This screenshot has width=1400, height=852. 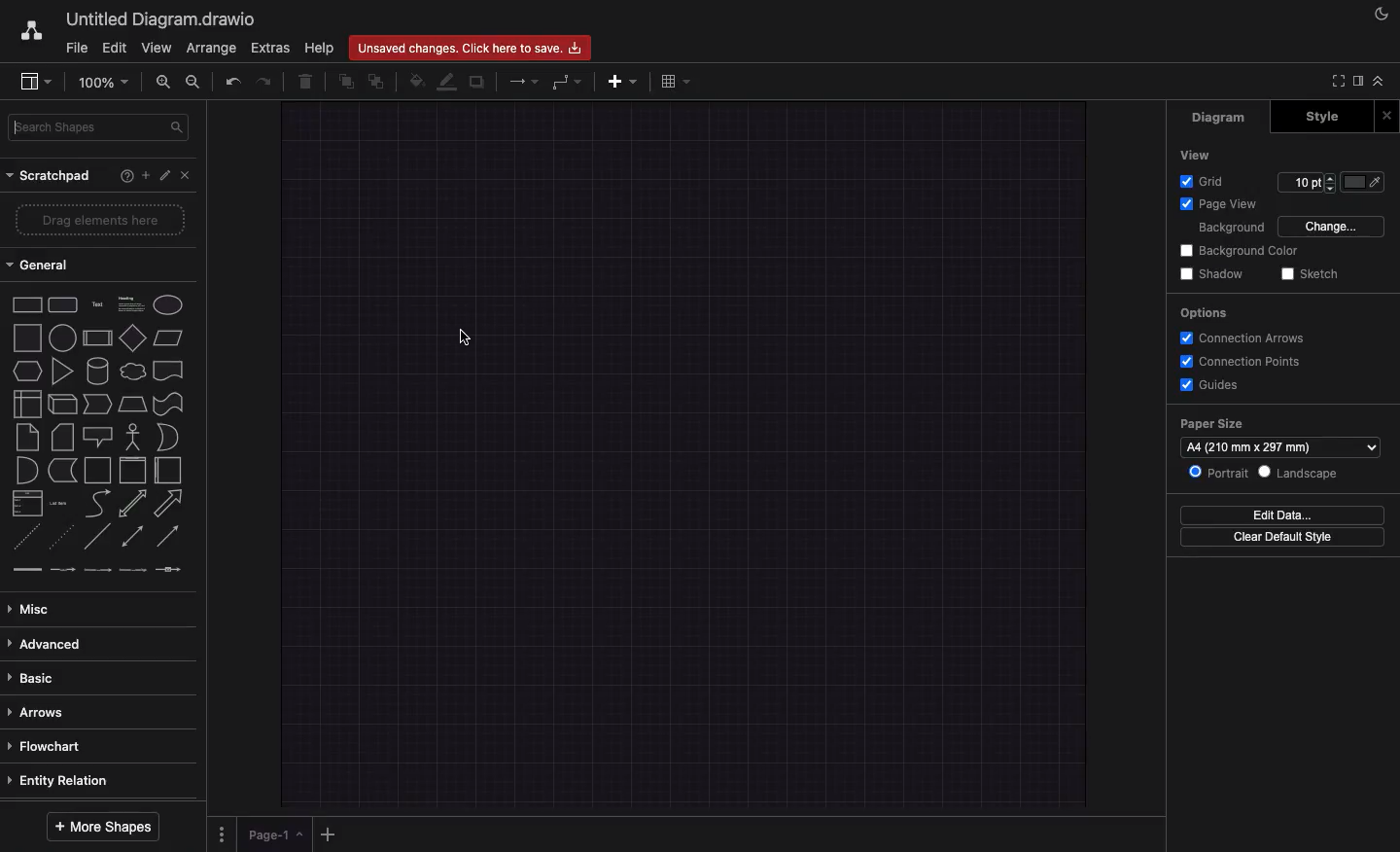 What do you see at coordinates (193, 84) in the screenshot?
I see `Zoom out` at bounding box center [193, 84].